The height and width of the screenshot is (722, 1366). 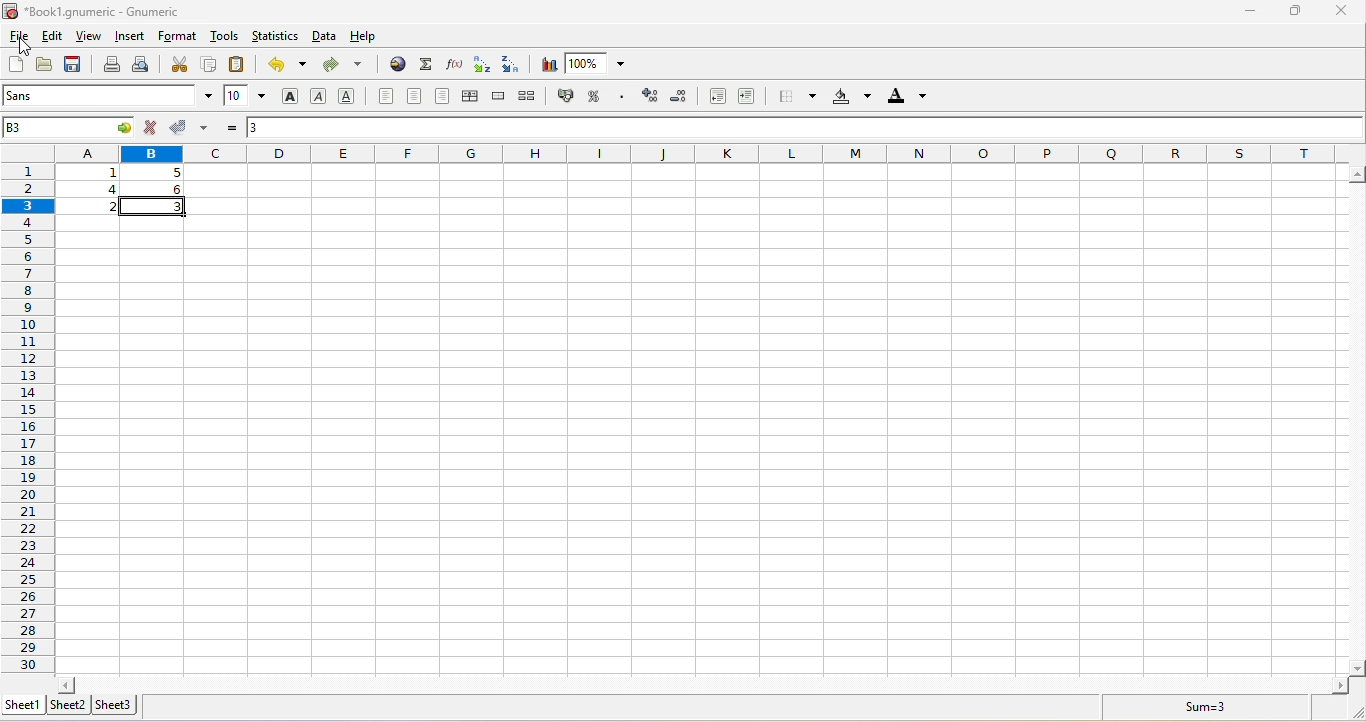 What do you see at coordinates (245, 95) in the screenshot?
I see `font size` at bounding box center [245, 95].